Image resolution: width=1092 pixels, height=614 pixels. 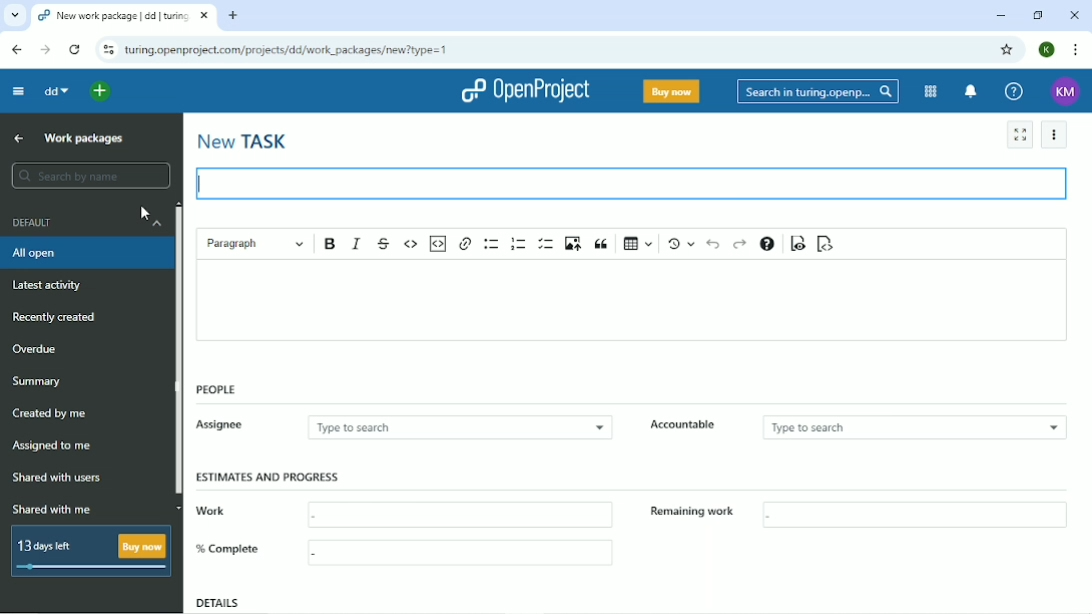 What do you see at coordinates (438, 244) in the screenshot?
I see `Insert code snippet` at bounding box center [438, 244].